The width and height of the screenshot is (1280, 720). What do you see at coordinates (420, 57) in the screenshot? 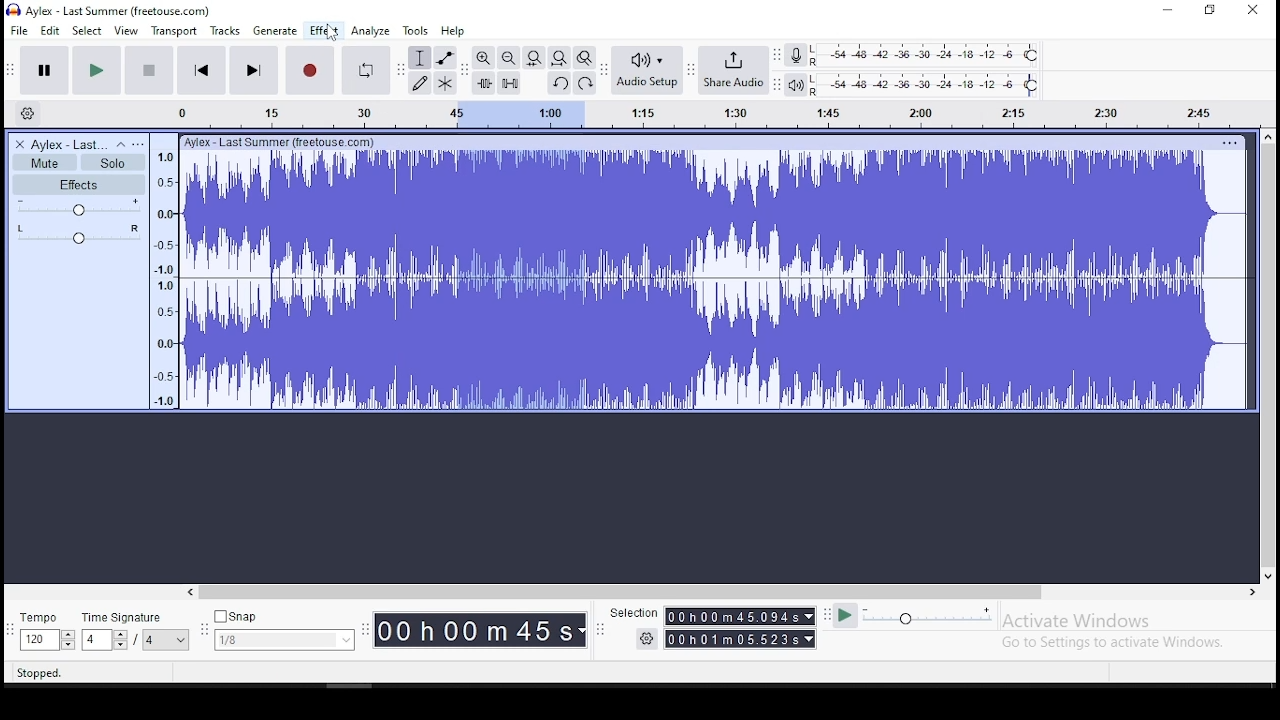
I see `selection tool` at bounding box center [420, 57].